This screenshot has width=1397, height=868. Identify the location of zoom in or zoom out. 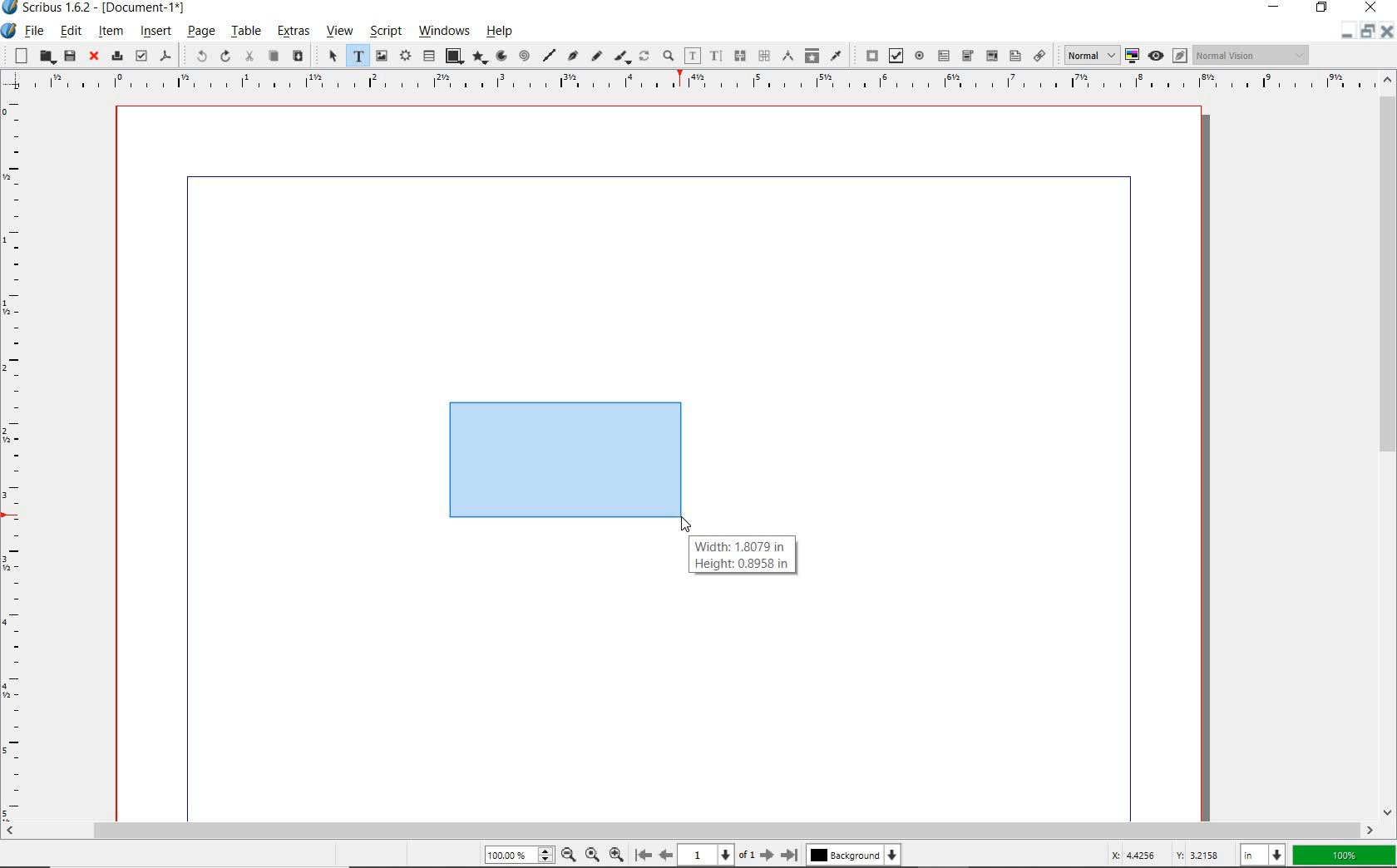
(668, 57).